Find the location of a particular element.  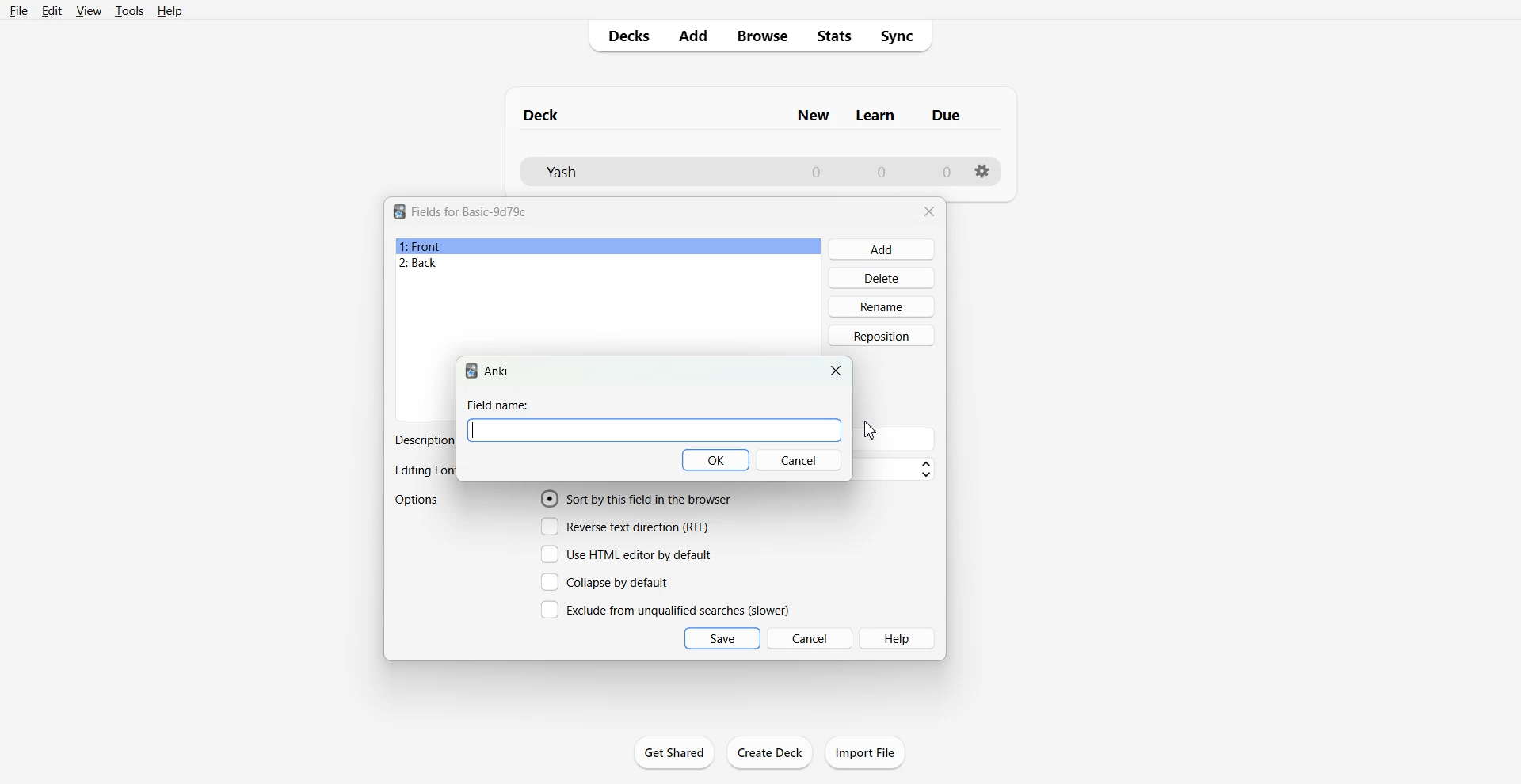

Import File is located at coordinates (865, 752).